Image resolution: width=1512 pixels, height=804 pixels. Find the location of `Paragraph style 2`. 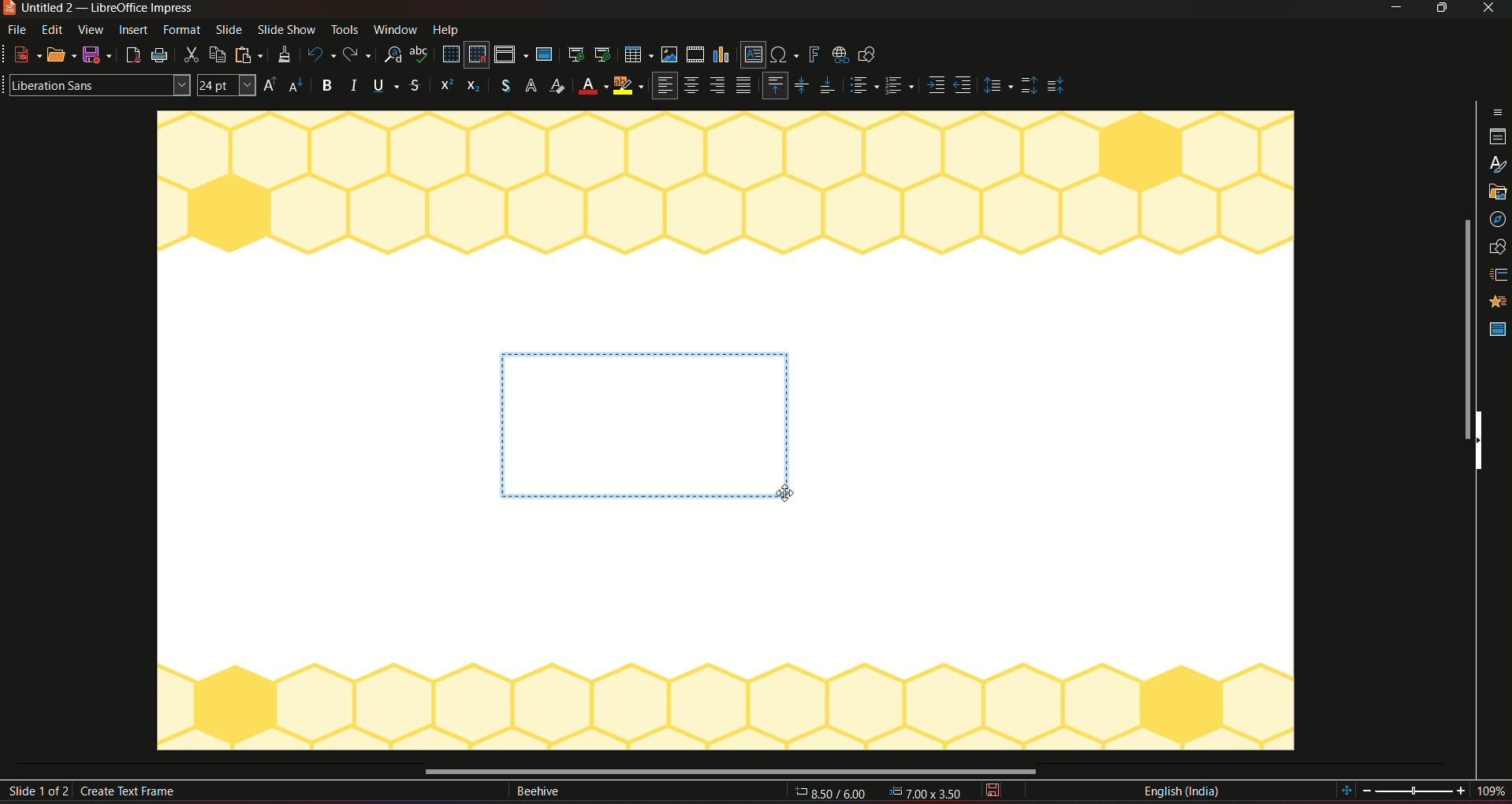

Paragraph style 2 is located at coordinates (902, 87).